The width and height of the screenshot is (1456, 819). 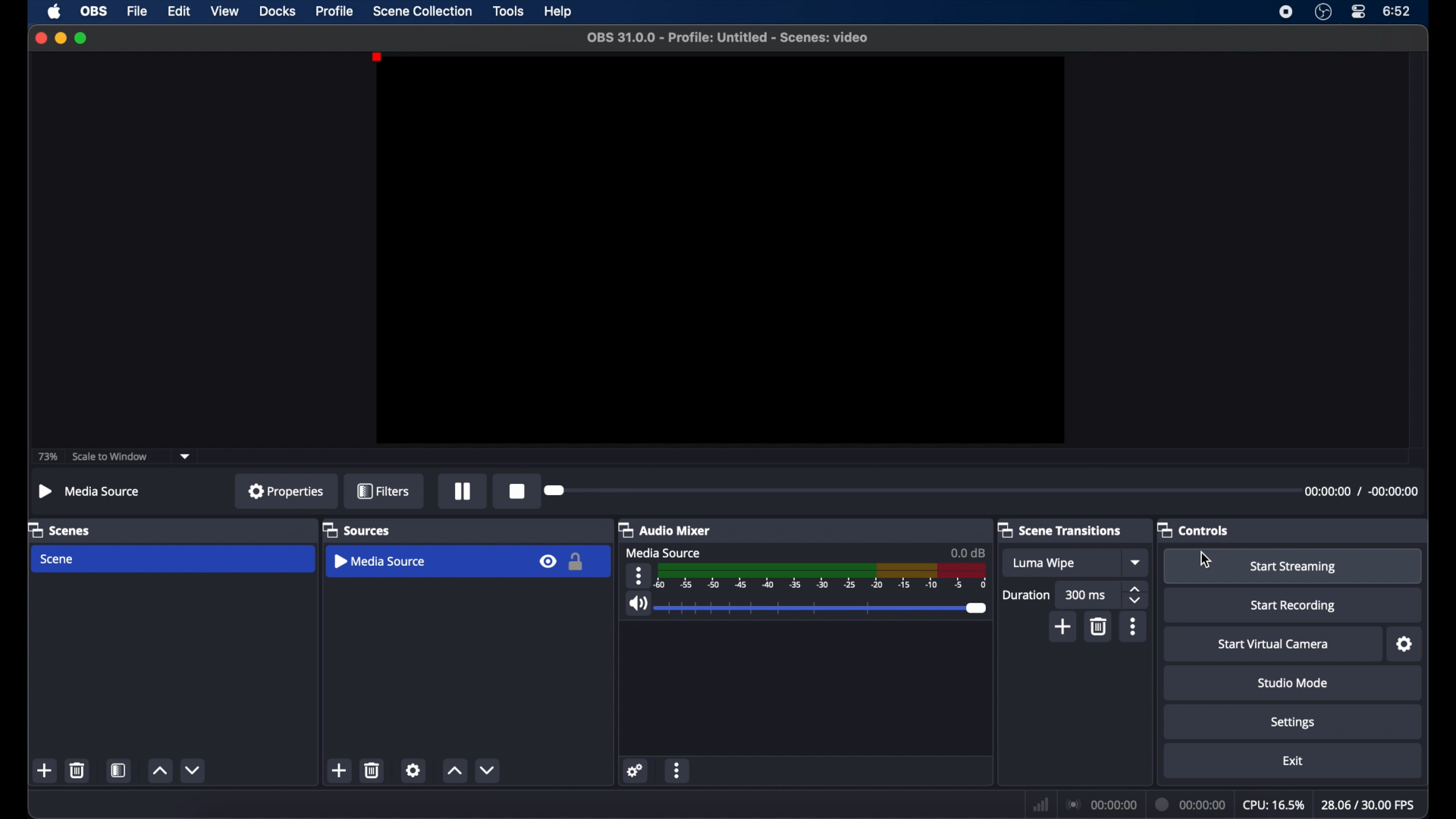 I want to click on audio mixer, so click(x=667, y=529).